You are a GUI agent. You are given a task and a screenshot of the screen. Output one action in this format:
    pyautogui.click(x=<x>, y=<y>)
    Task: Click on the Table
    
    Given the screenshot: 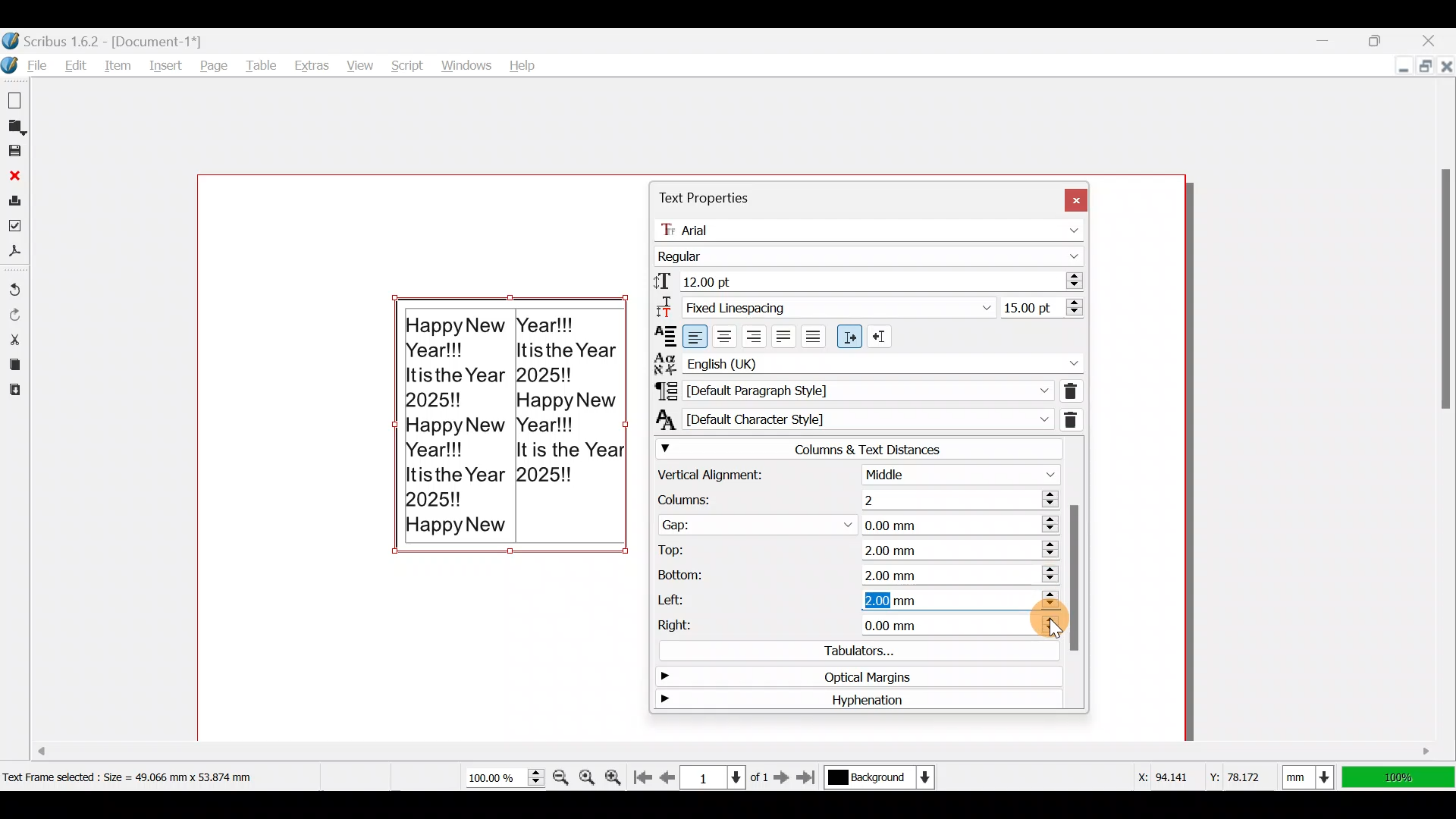 What is the action you would take?
    pyautogui.click(x=263, y=64)
    